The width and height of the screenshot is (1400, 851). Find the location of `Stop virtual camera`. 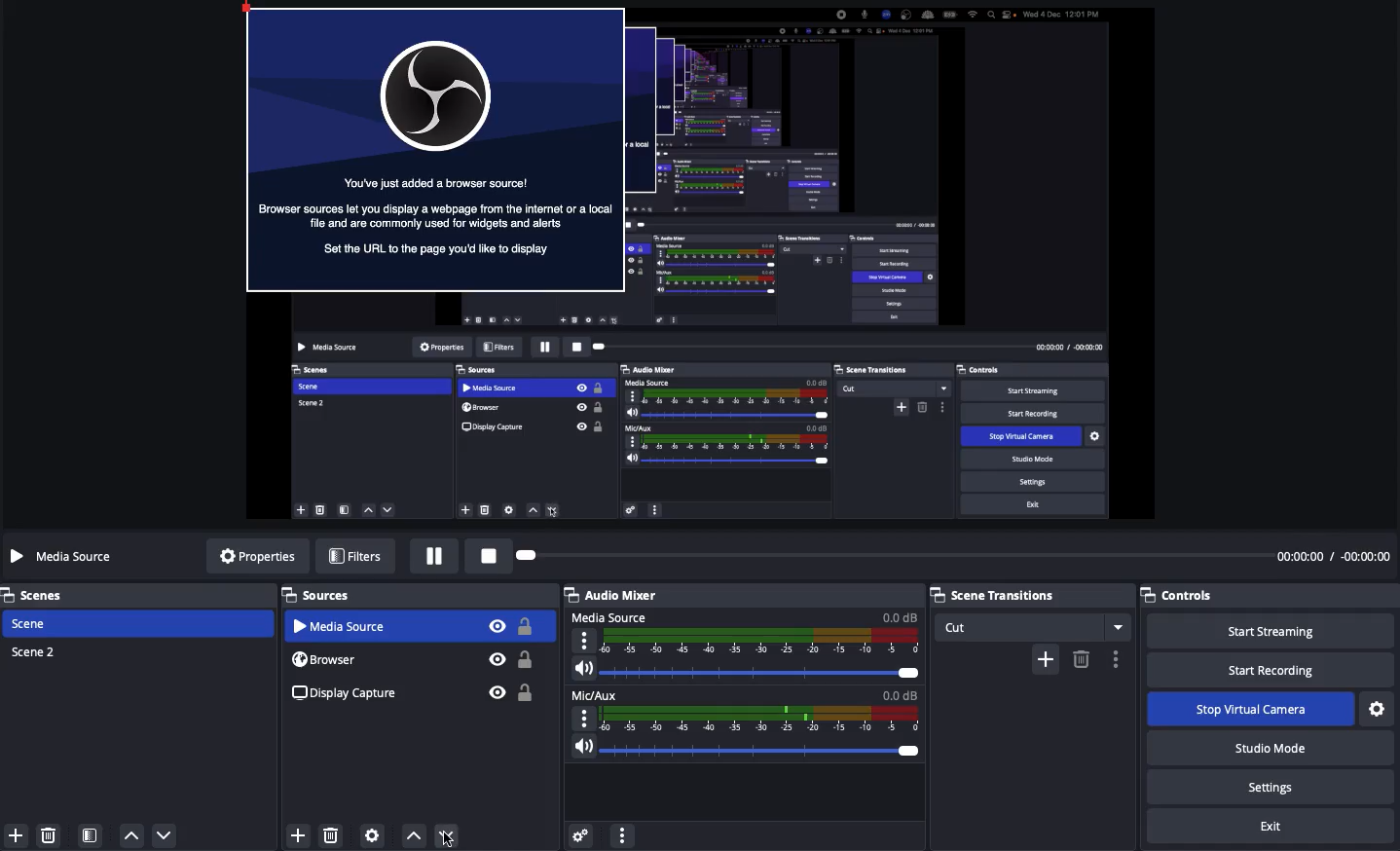

Stop virtual camera is located at coordinates (1248, 710).